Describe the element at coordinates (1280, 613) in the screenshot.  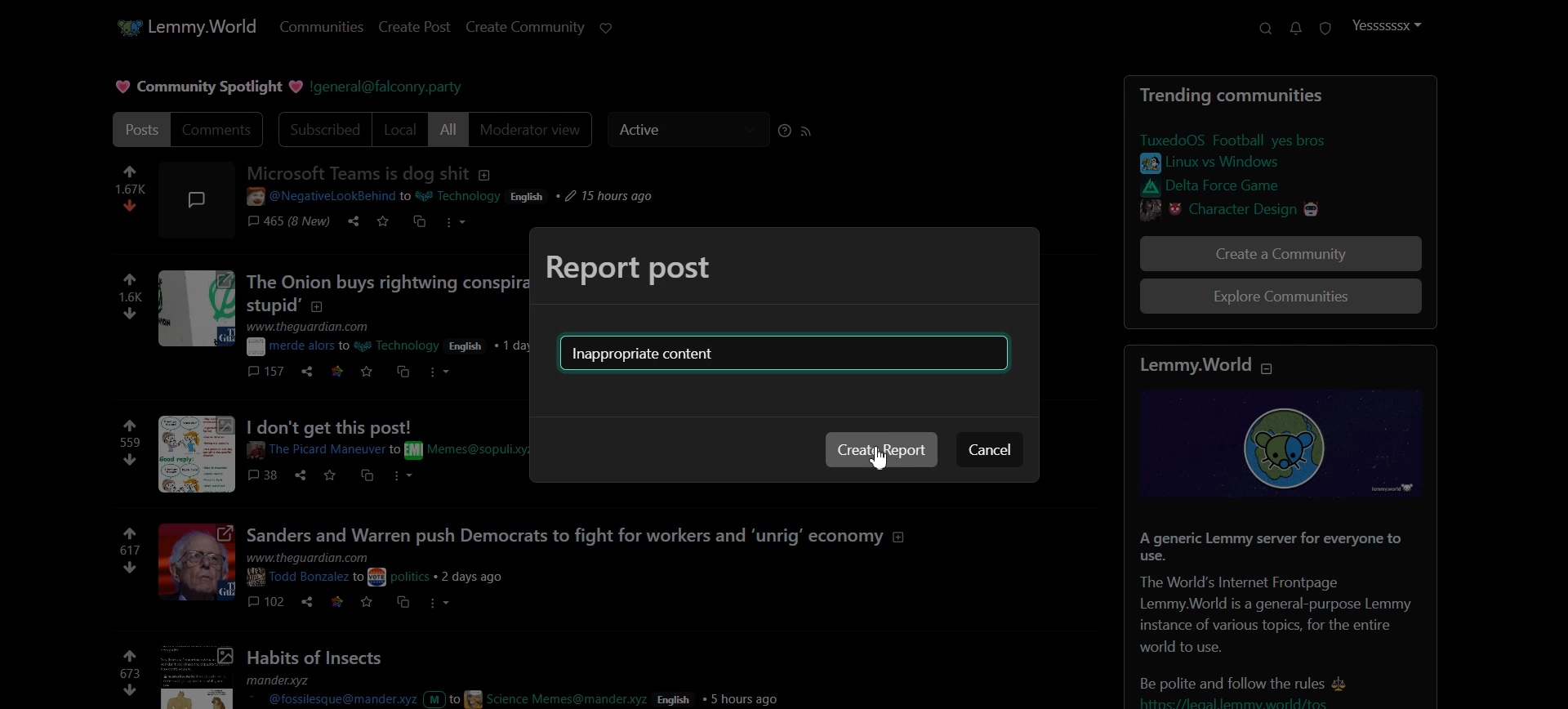
I see `Posts` at that location.